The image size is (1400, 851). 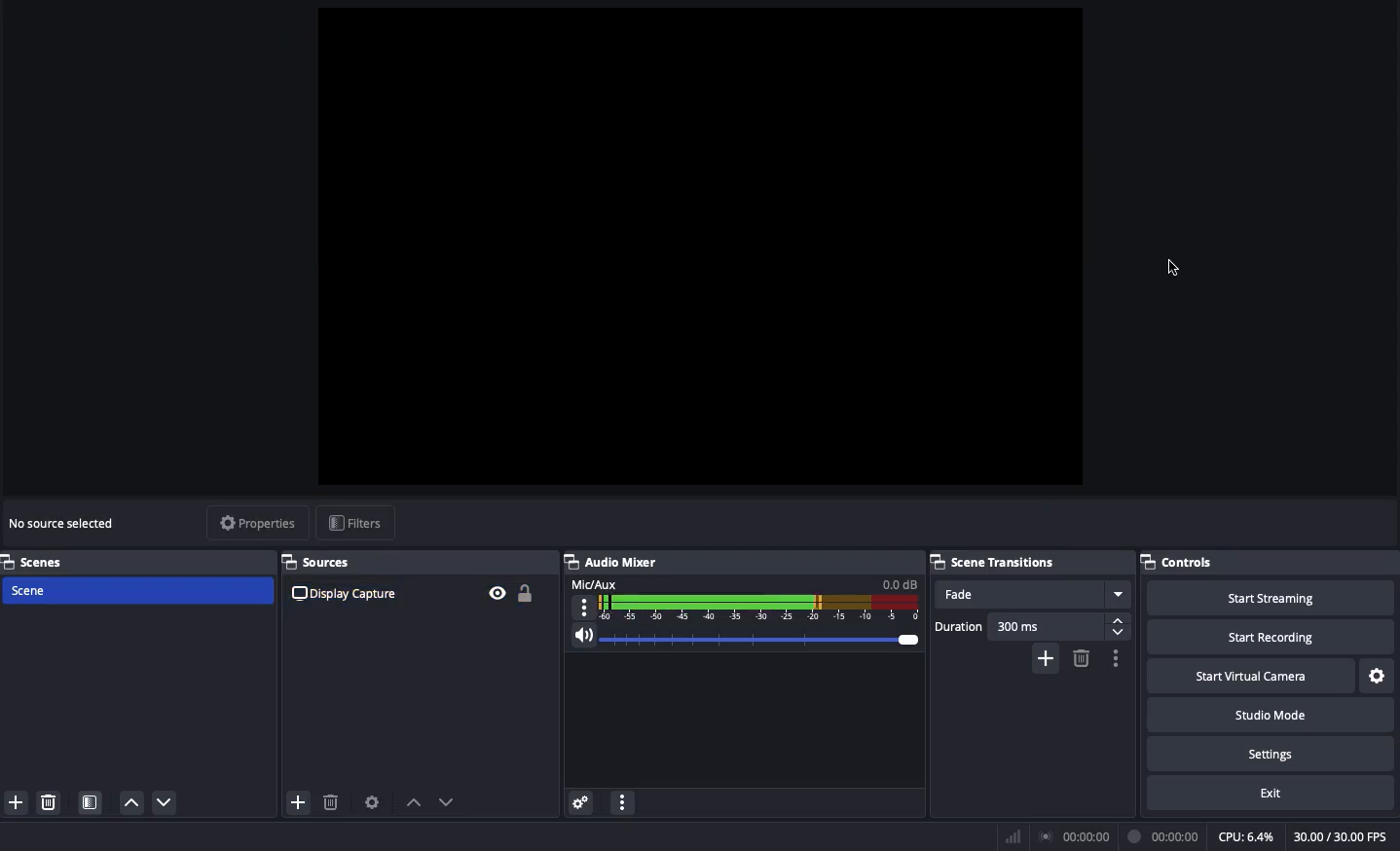 What do you see at coordinates (1269, 713) in the screenshot?
I see `Studio mode` at bounding box center [1269, 713].